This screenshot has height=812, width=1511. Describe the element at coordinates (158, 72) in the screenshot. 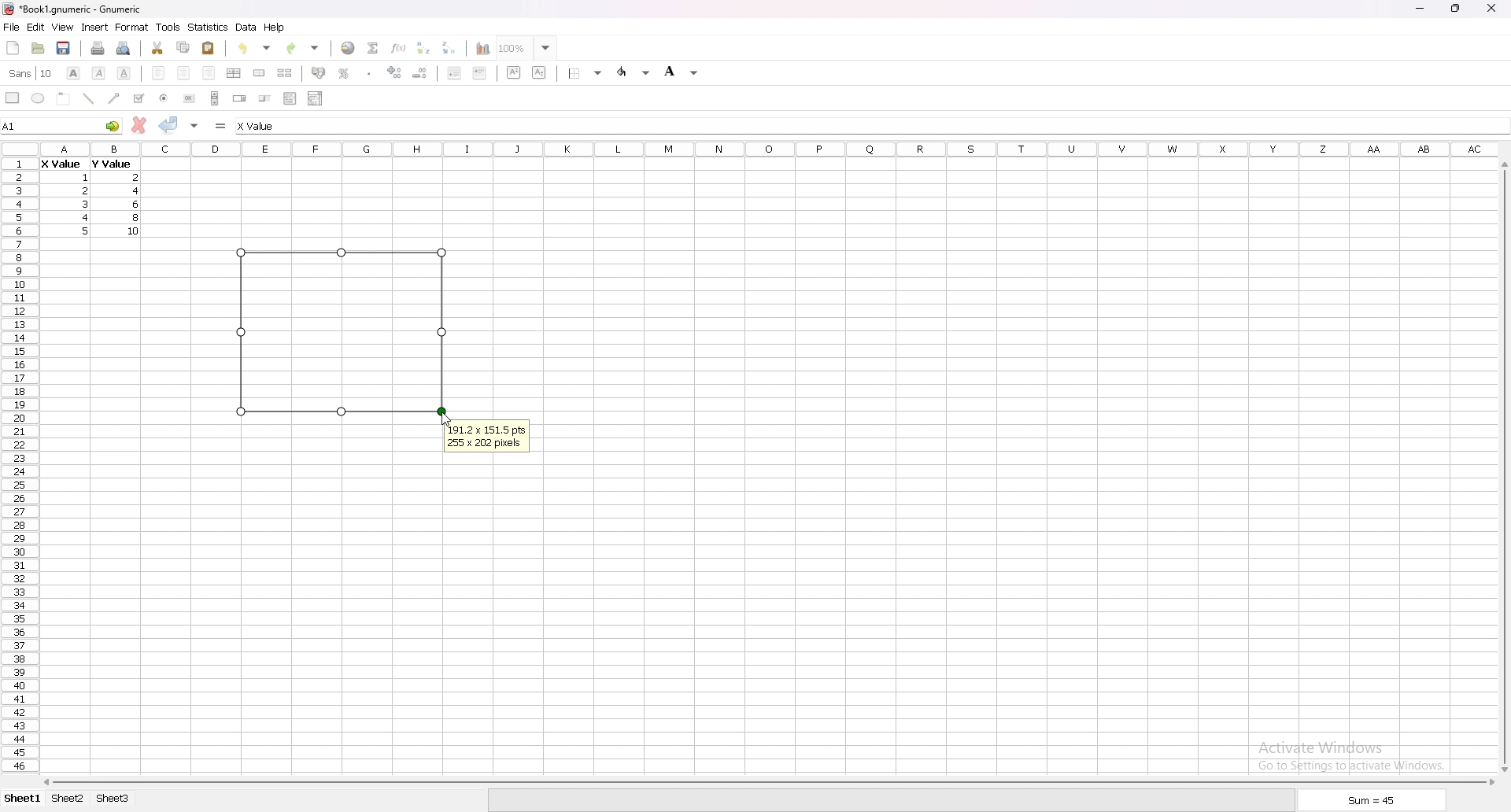

I see `left align` at that location.